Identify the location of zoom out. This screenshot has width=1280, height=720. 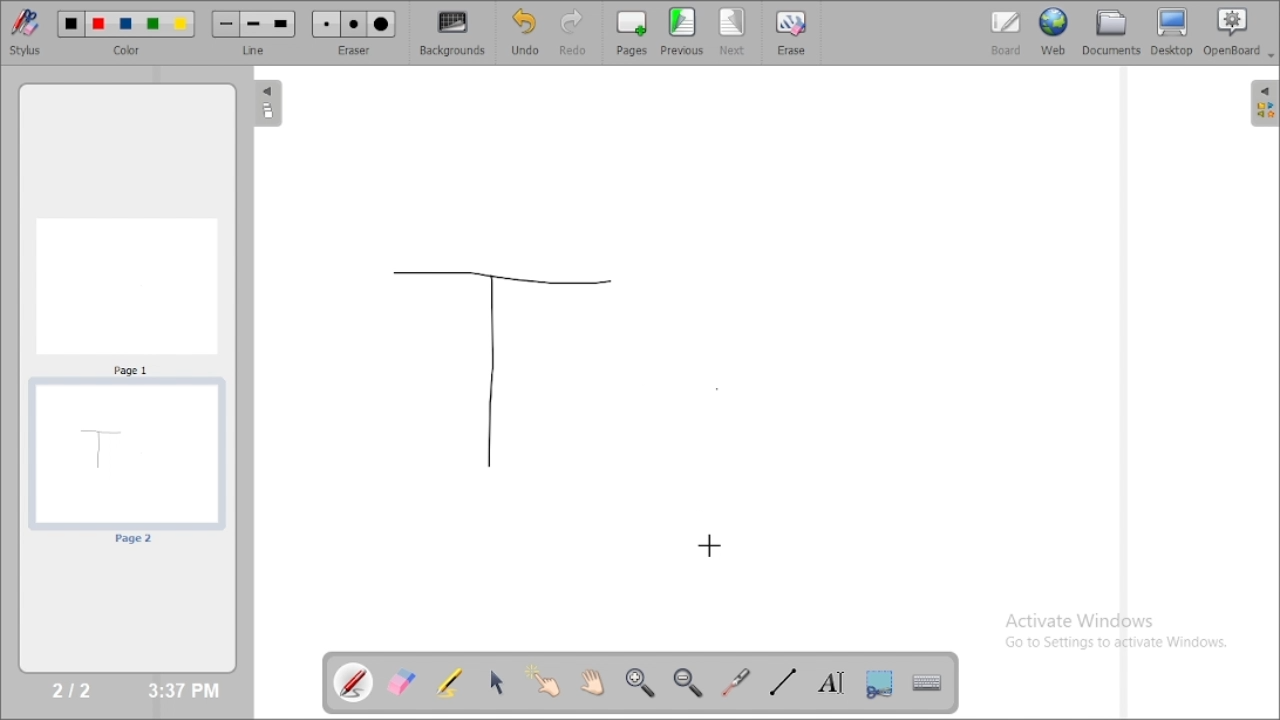
(690, 683).